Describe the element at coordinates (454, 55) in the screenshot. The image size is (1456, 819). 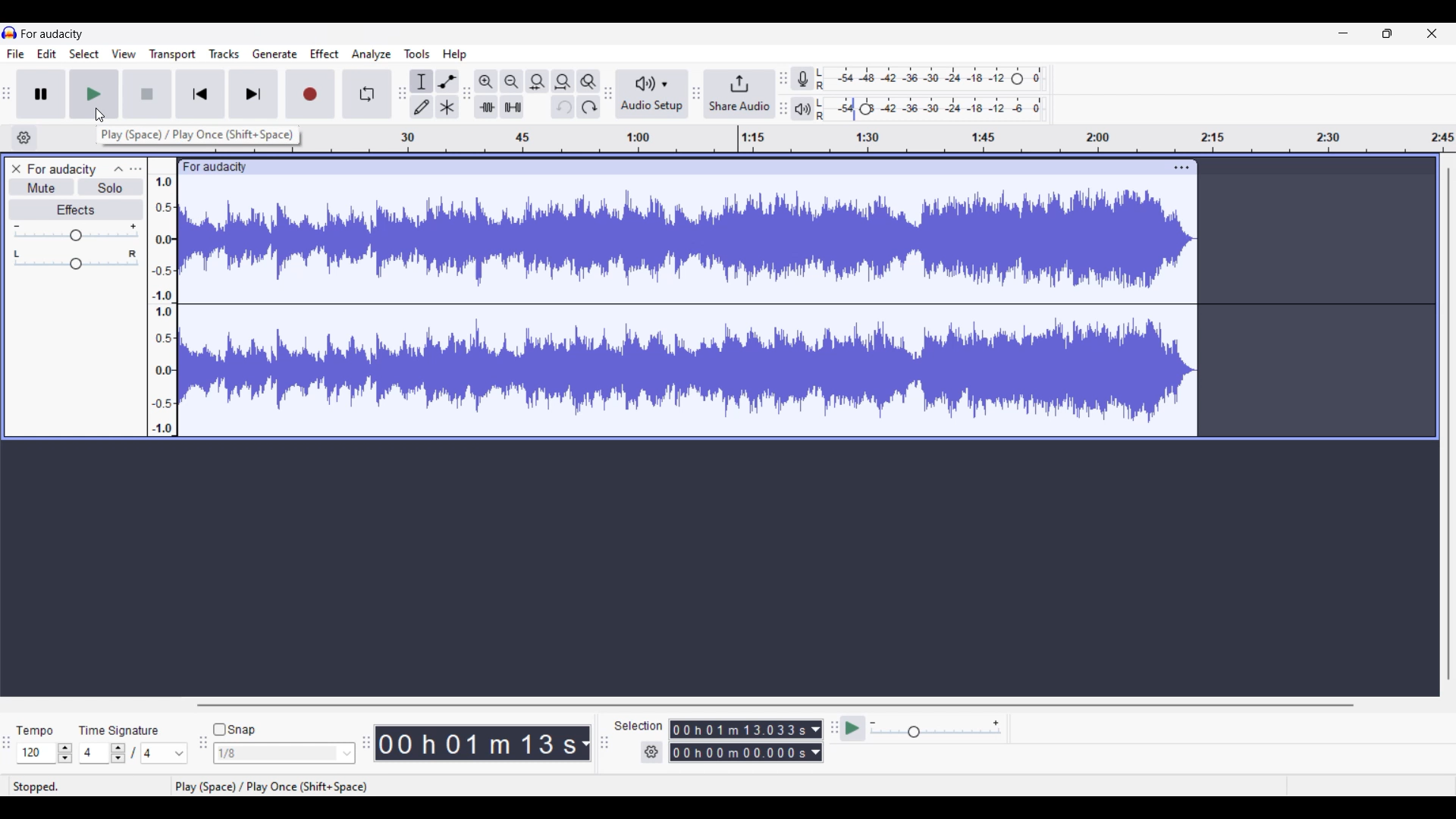
I see `Help menu` at that location.